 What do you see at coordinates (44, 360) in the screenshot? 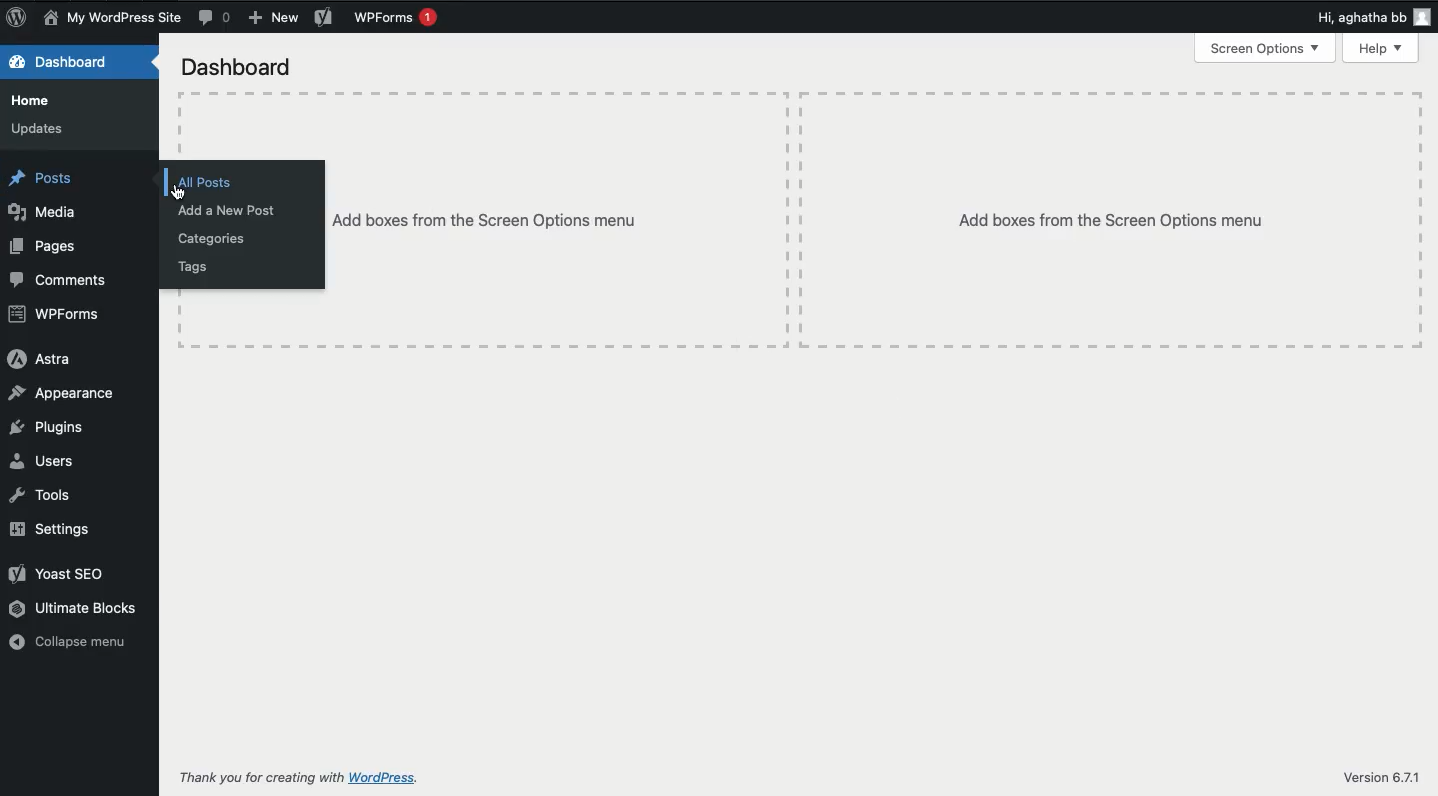
I see `Astra ` at bounding box center [44, 360].